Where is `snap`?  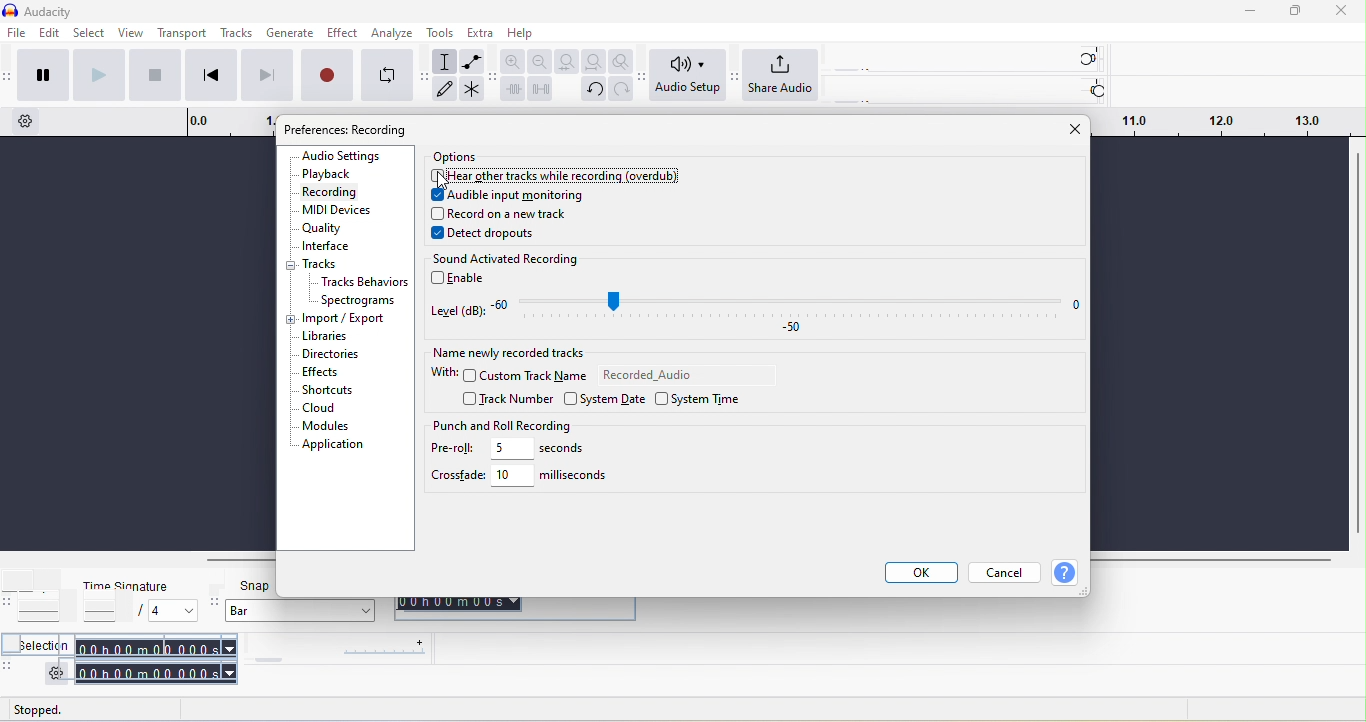 snap is located at coordinates (249, 586).